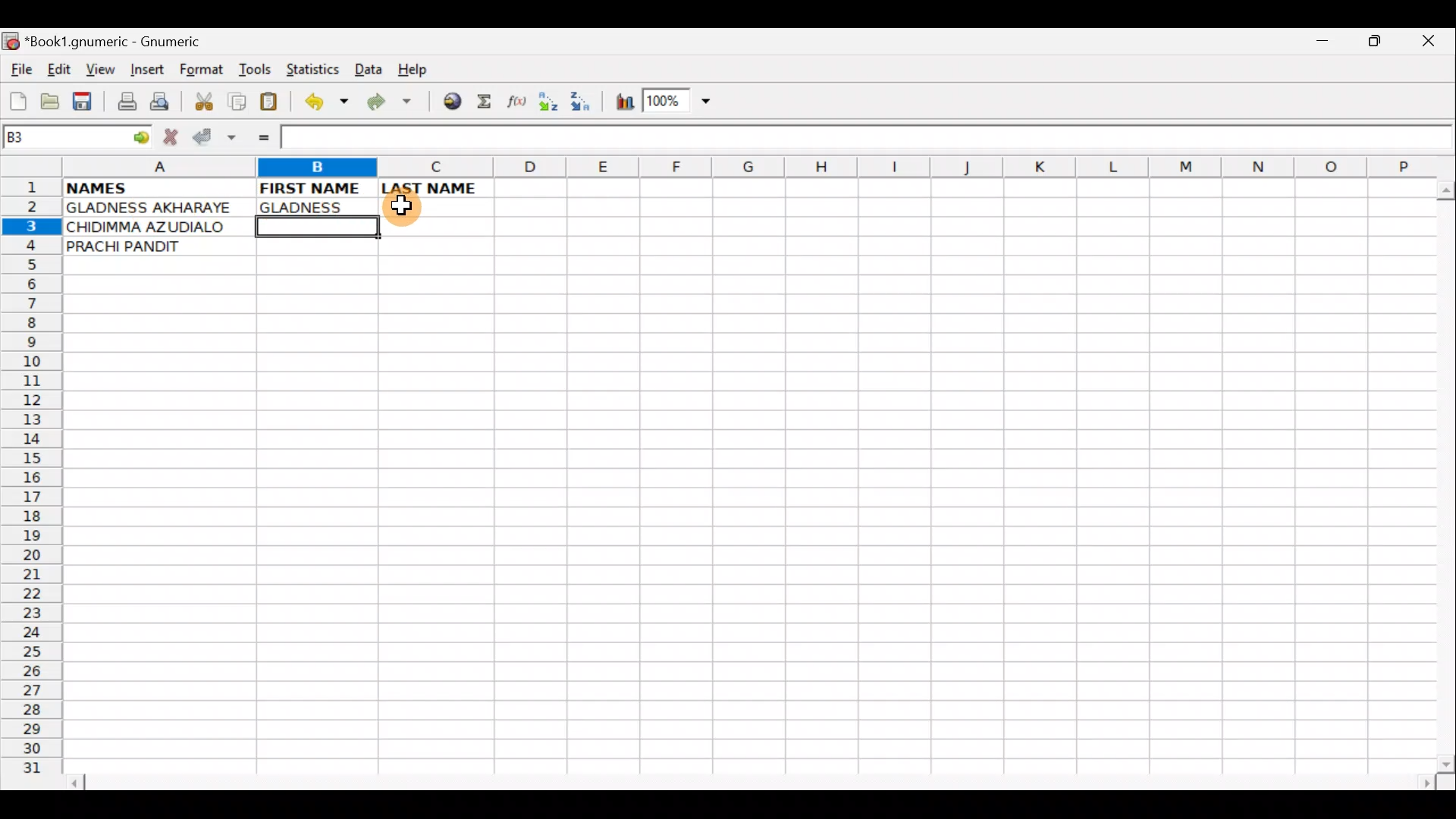  I want to click on Edit function in the current cell, so click(519, 105).